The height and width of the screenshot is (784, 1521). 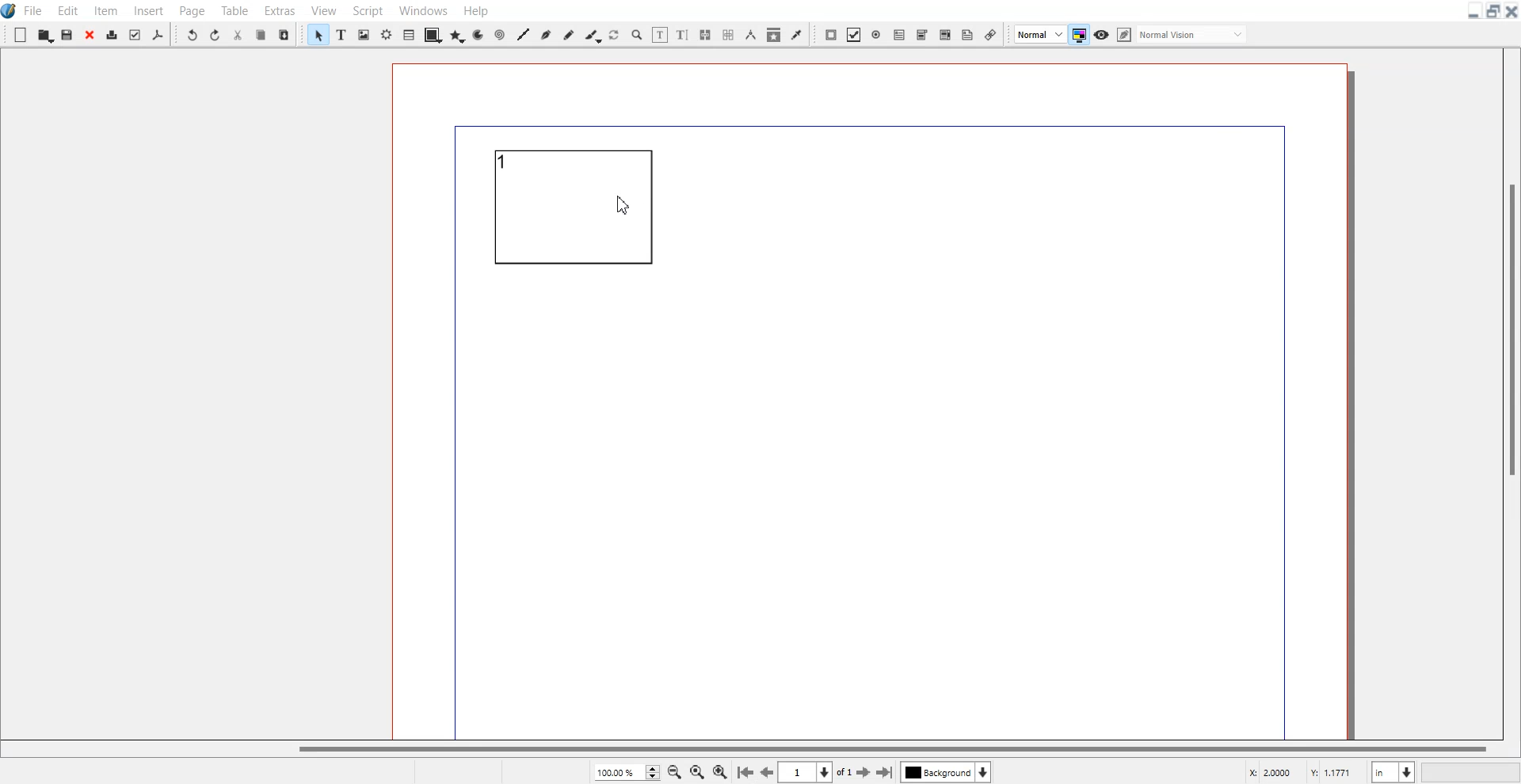 What do you see at coordinates (409, 34) in the screenshot?
I see `Table` at bounding box center [409, 34].